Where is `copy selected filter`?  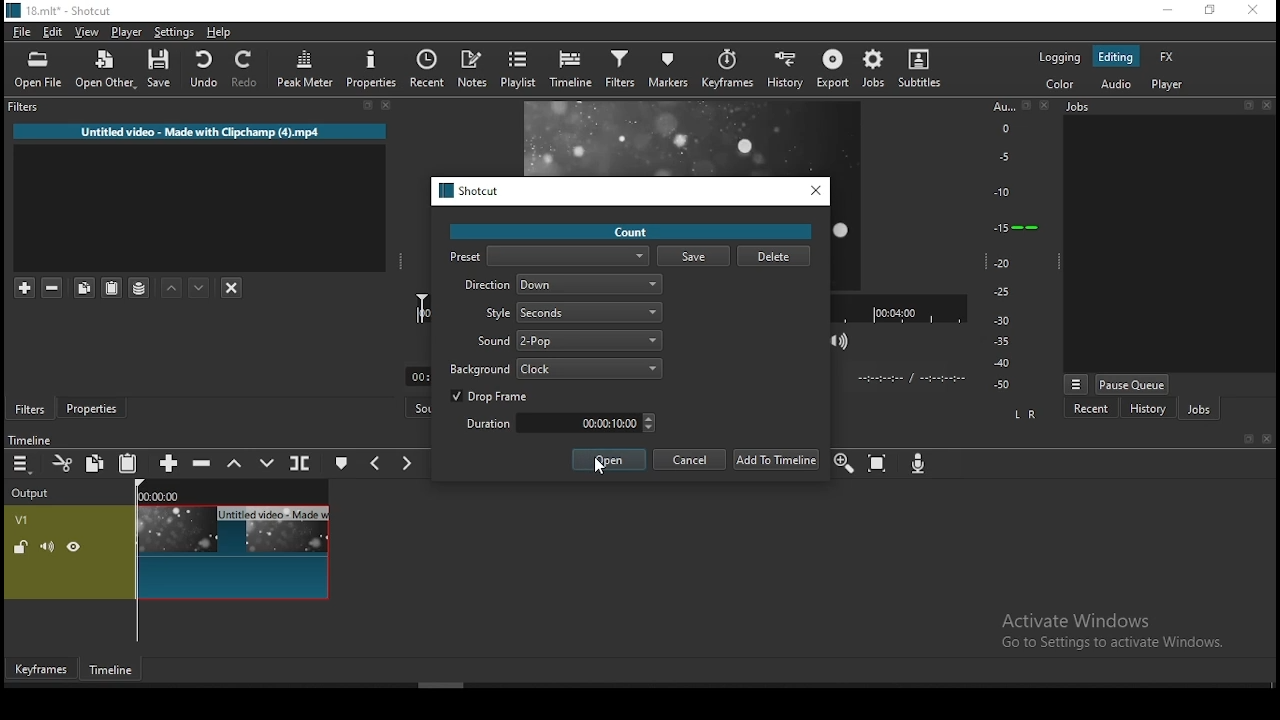 copy selected filter is located at coordinates (82, 287).